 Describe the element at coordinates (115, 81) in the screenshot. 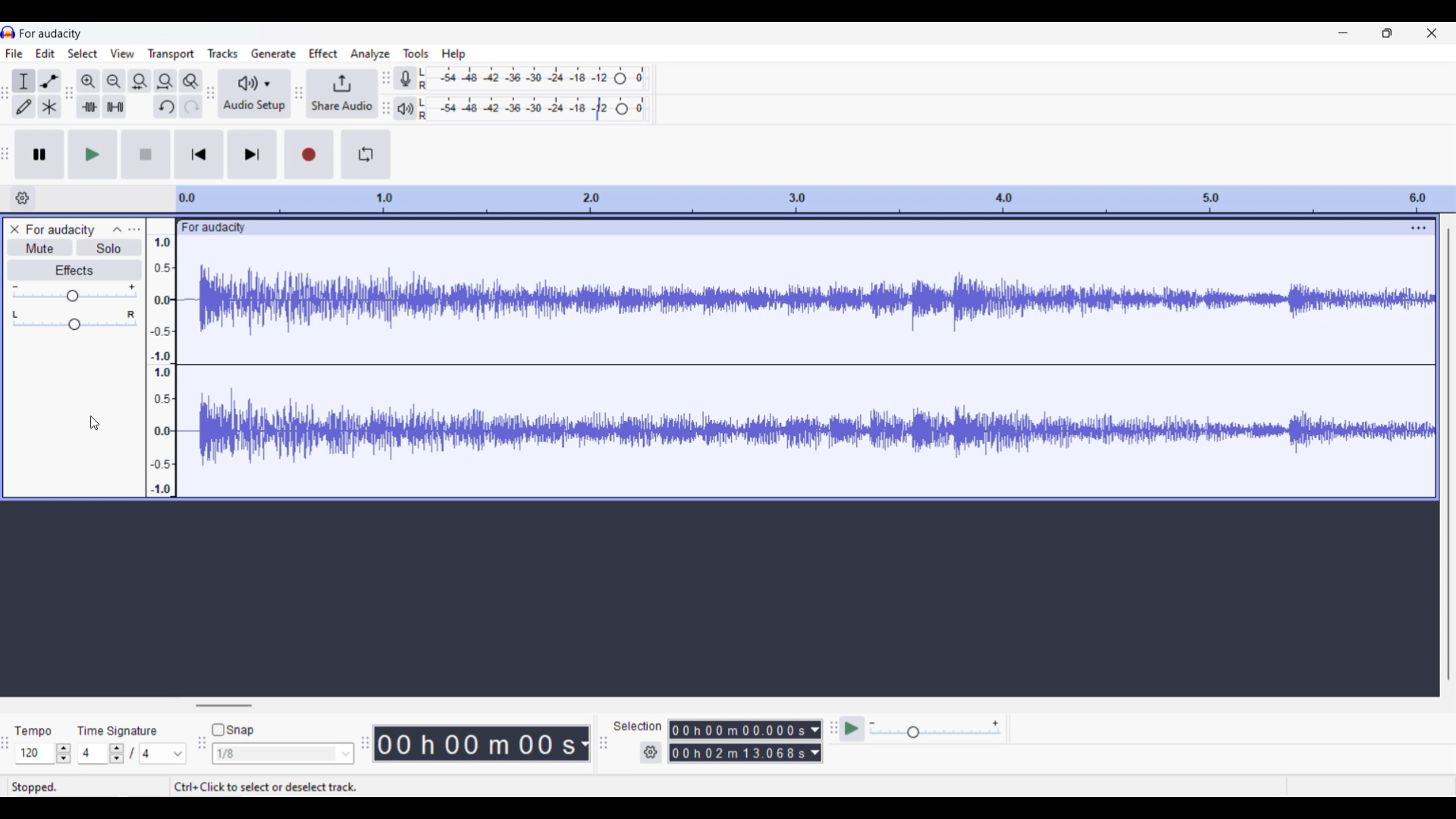

I see `Zoom out` at that location.